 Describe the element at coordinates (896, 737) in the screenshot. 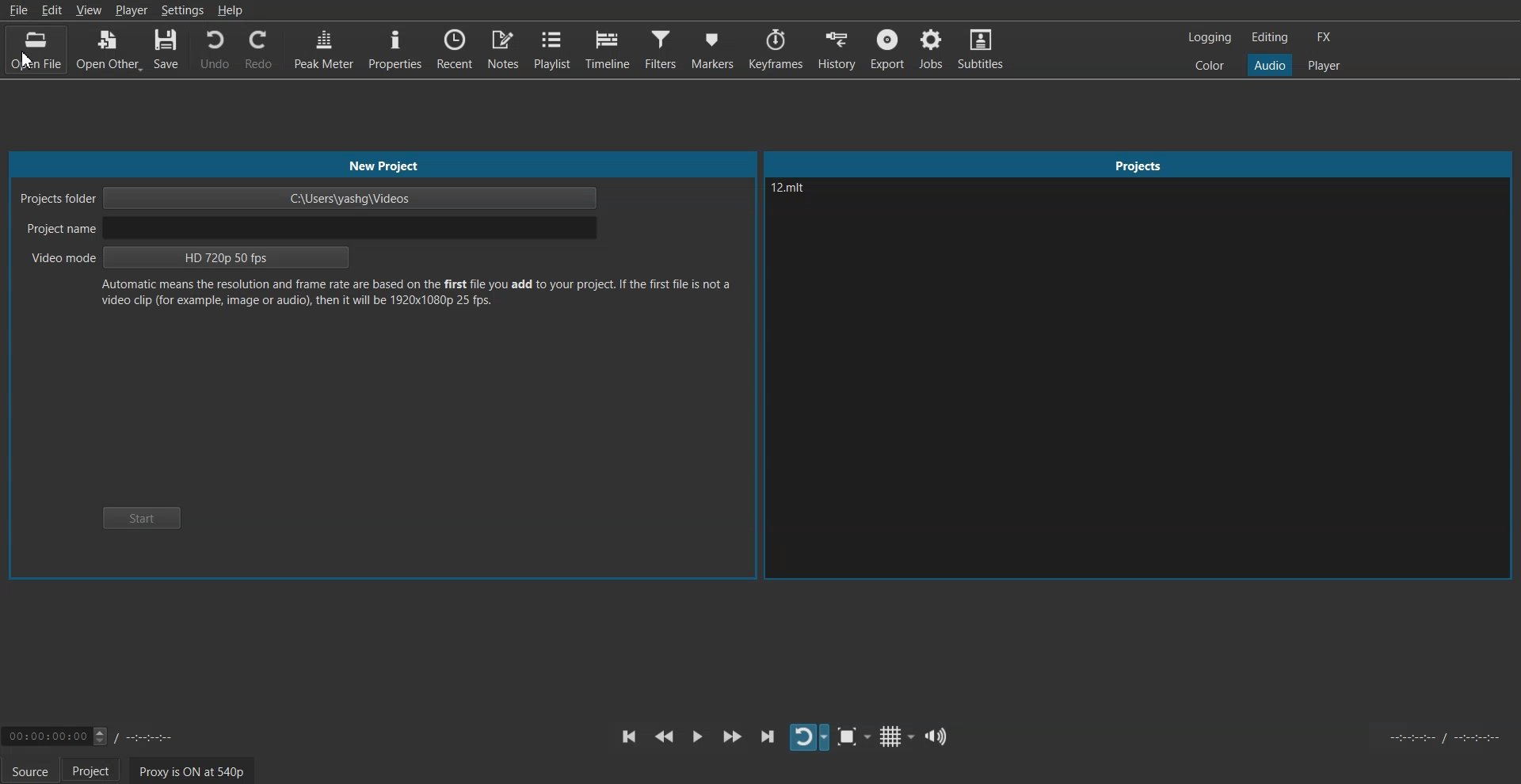

I see `Toggle grid display on the player` at that location.